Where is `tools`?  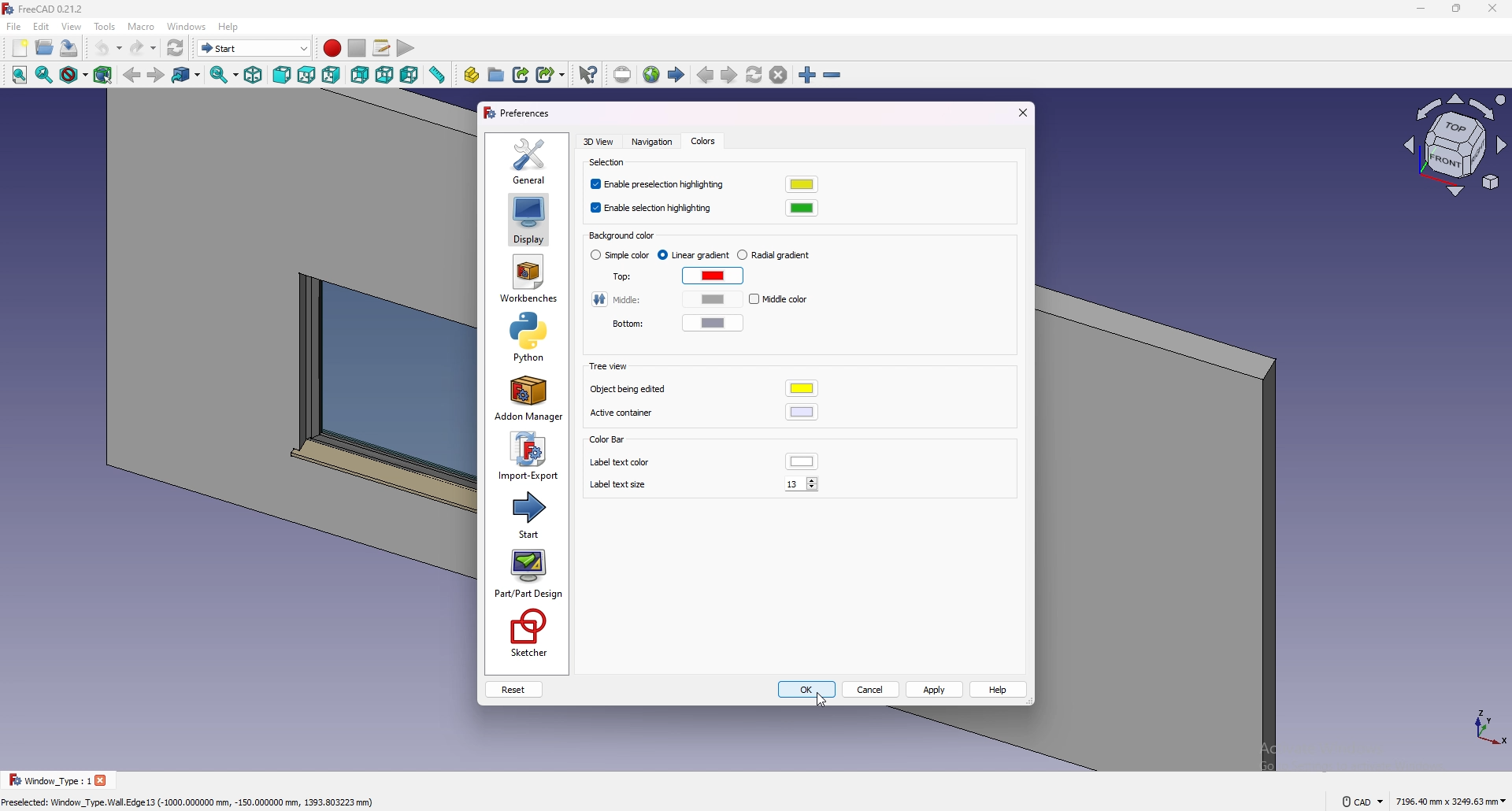
tools is located at coordinates (105, 26).